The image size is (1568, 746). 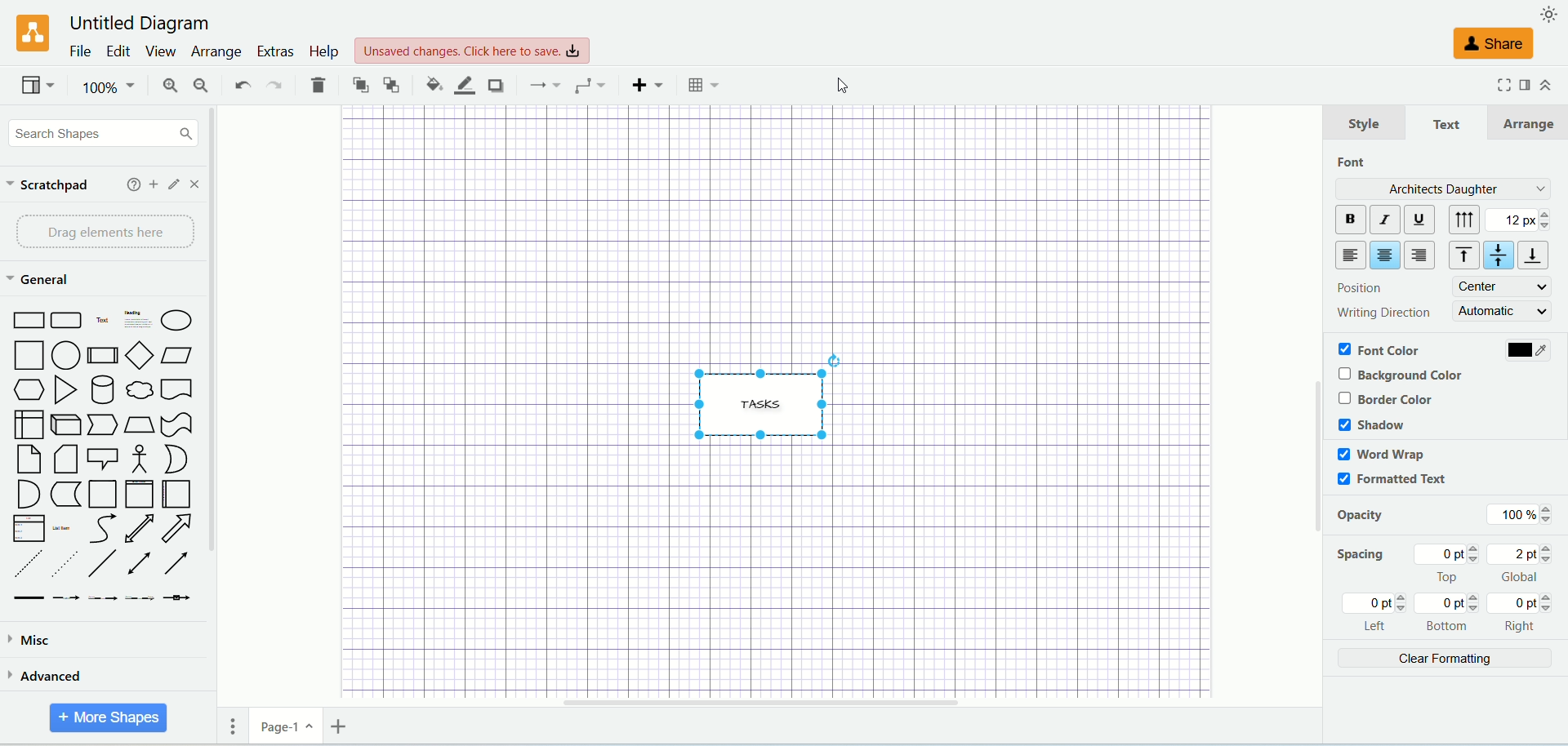 I want to click on undo, so click(x=240, y=86).